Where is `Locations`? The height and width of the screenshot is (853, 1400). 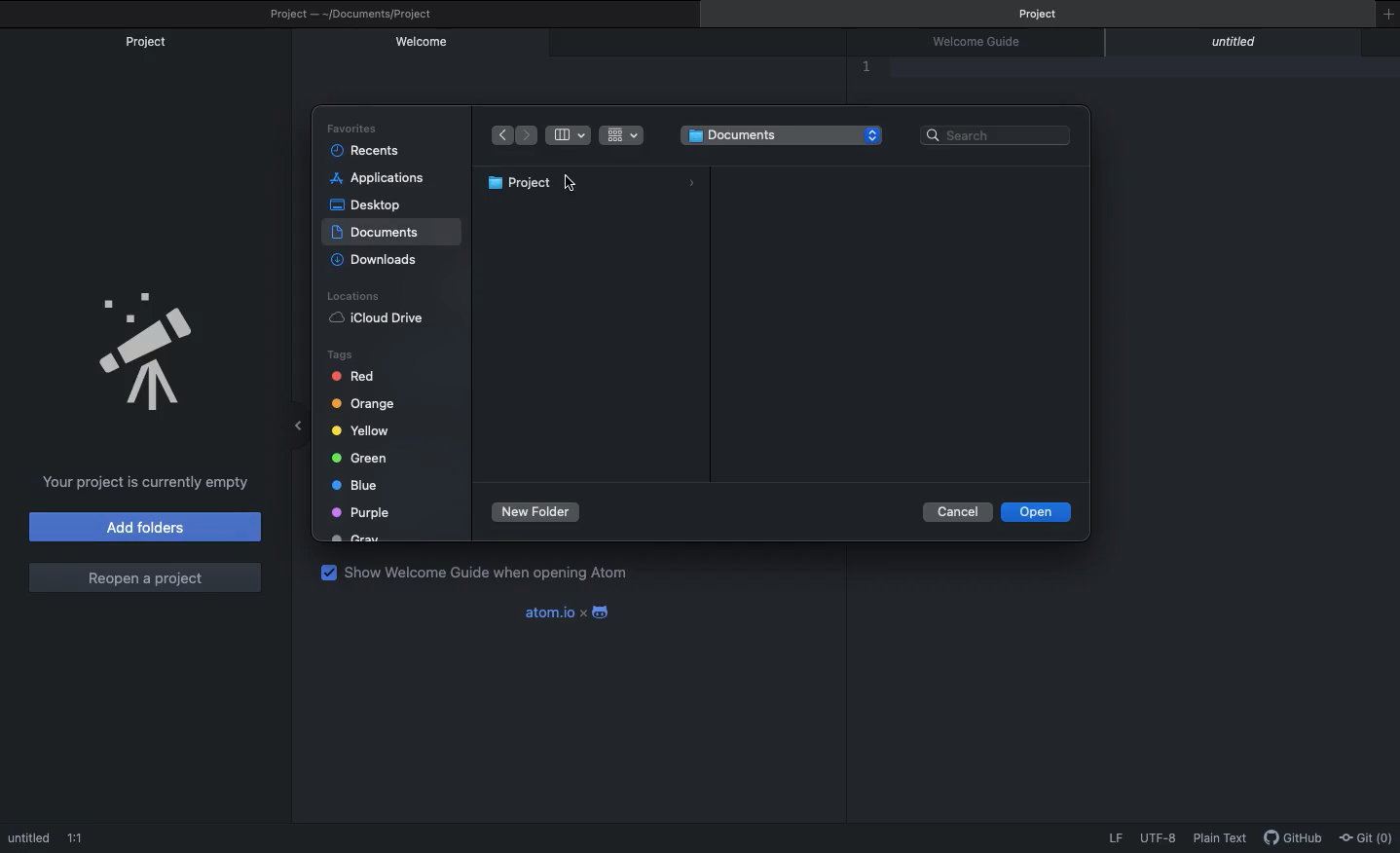
Locations is located at coordinates (350, 294).